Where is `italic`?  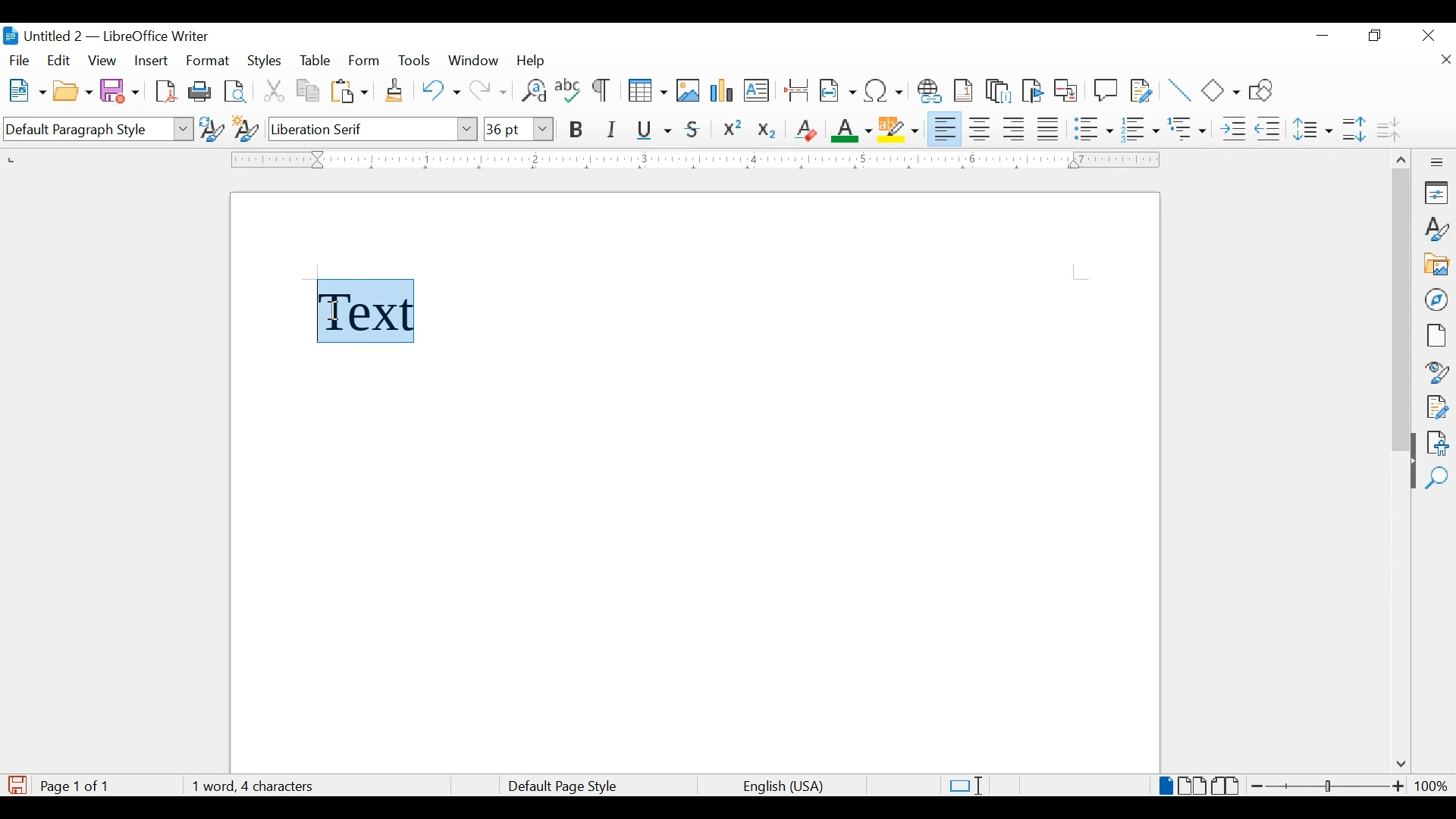 italic is located at coordinates (612, 130).